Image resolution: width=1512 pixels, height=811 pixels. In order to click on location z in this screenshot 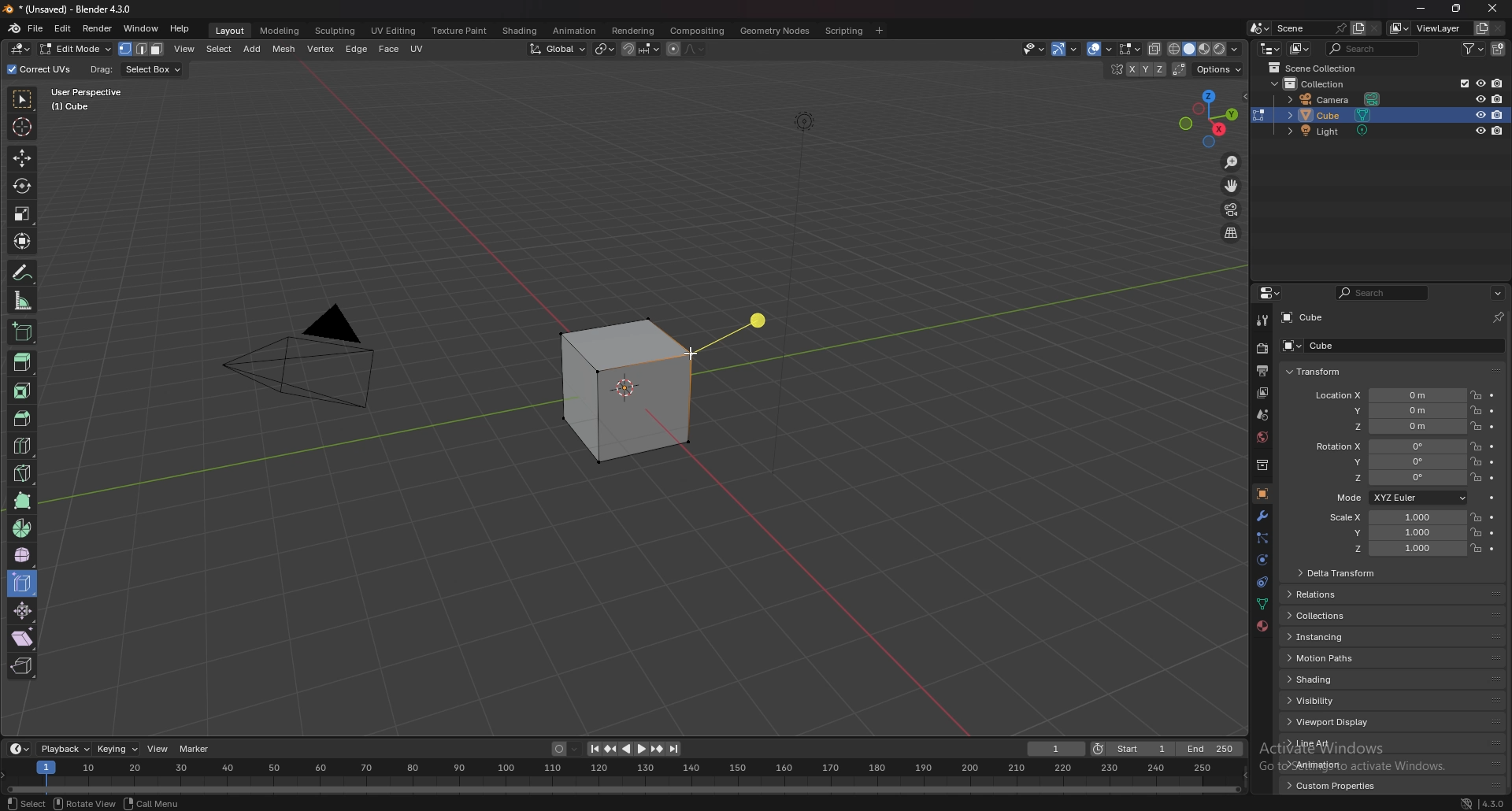, I will do `click(1399, 427)`.